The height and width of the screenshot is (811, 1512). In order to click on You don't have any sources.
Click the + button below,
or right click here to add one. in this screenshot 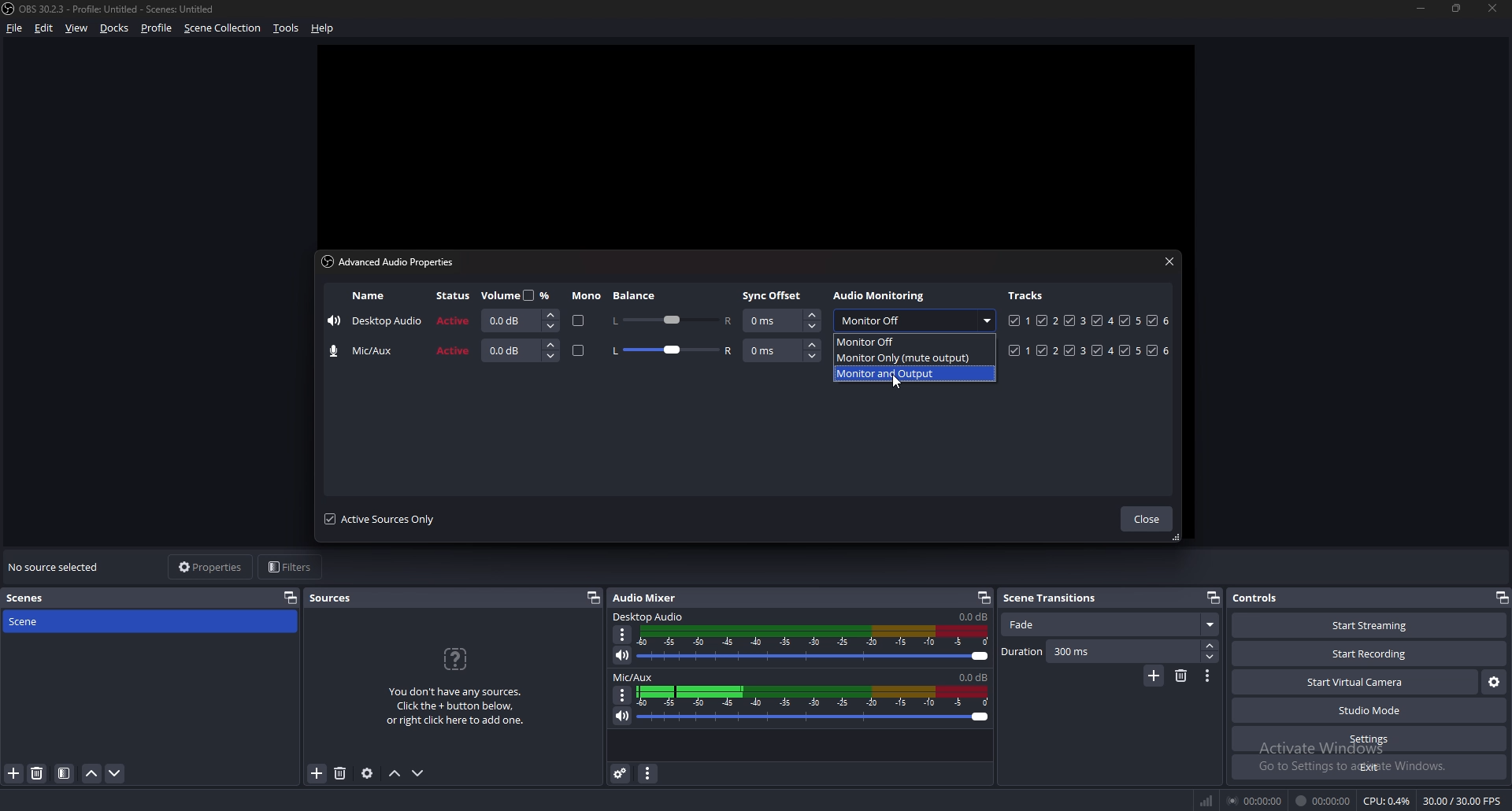, I will do `click(461, 687)`.